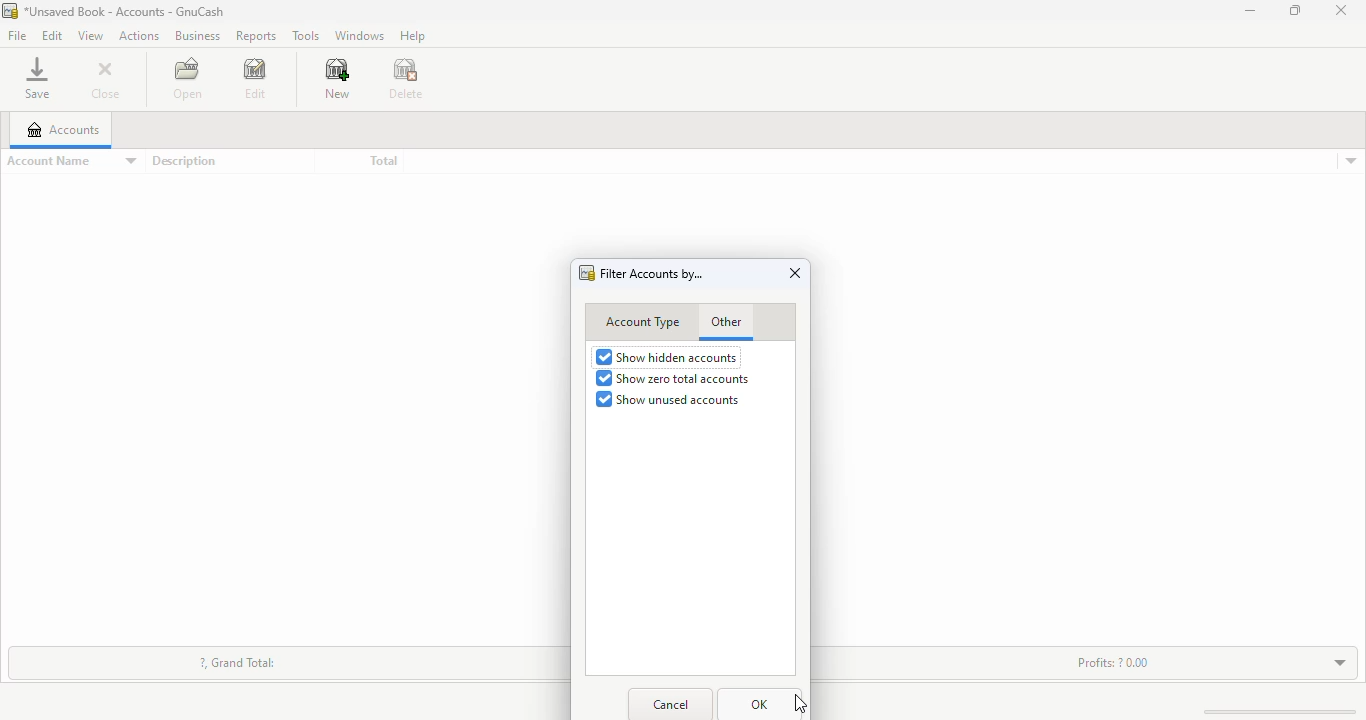 The width and height of the screenshot is (1366, 720). I want to click on logo, so click(9, 11).